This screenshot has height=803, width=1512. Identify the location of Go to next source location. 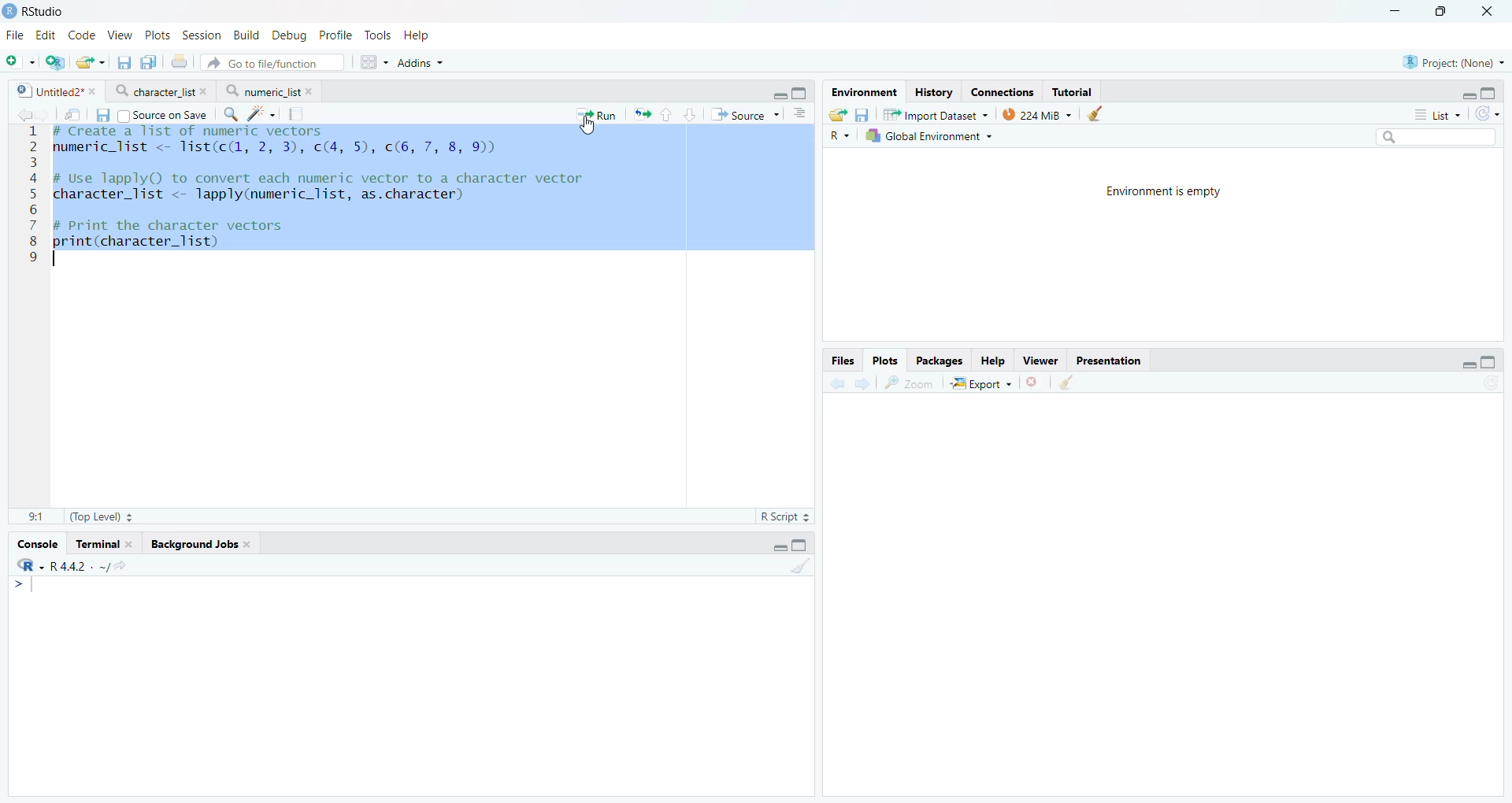
(43, 113).